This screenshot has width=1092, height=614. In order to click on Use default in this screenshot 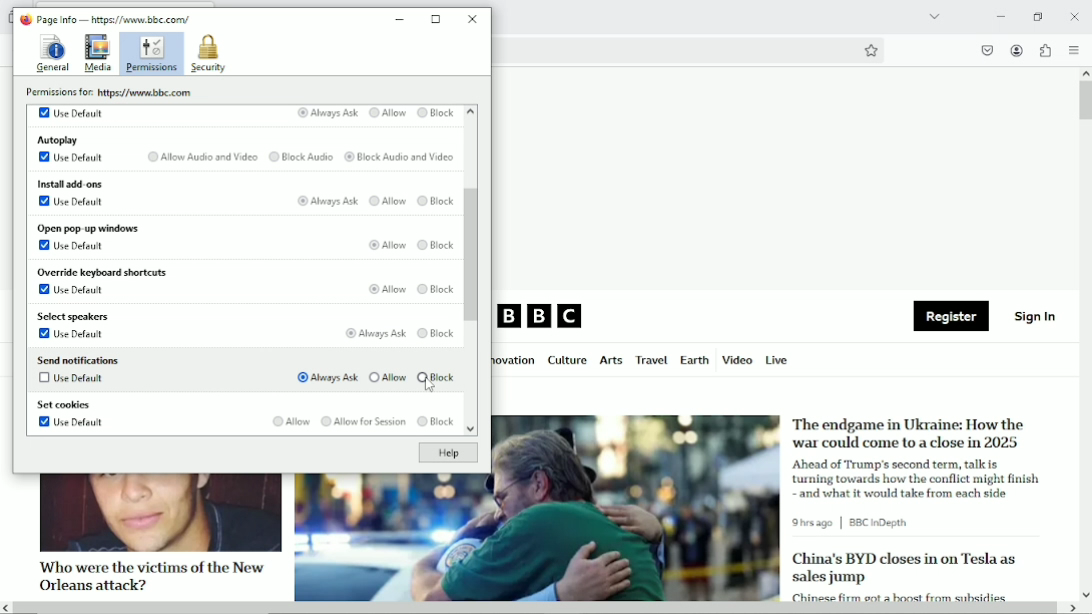, I will do `click(72, 381)`.